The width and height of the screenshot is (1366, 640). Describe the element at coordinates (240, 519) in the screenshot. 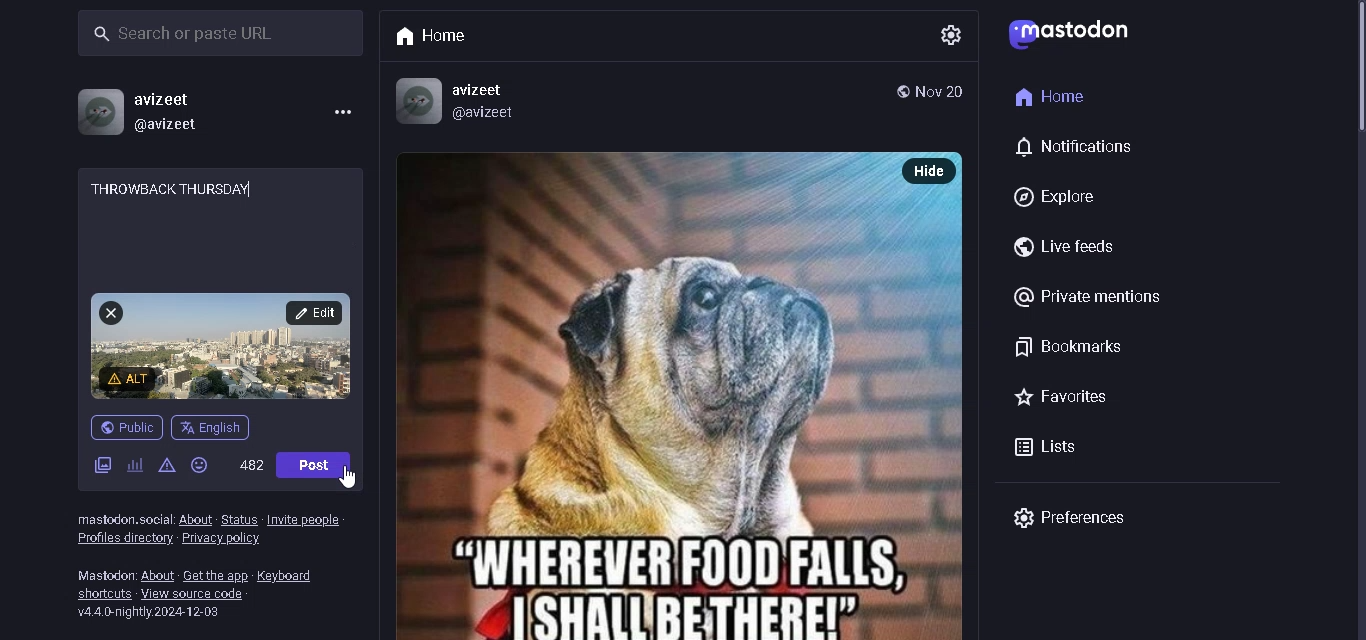

I see `status` at that location.